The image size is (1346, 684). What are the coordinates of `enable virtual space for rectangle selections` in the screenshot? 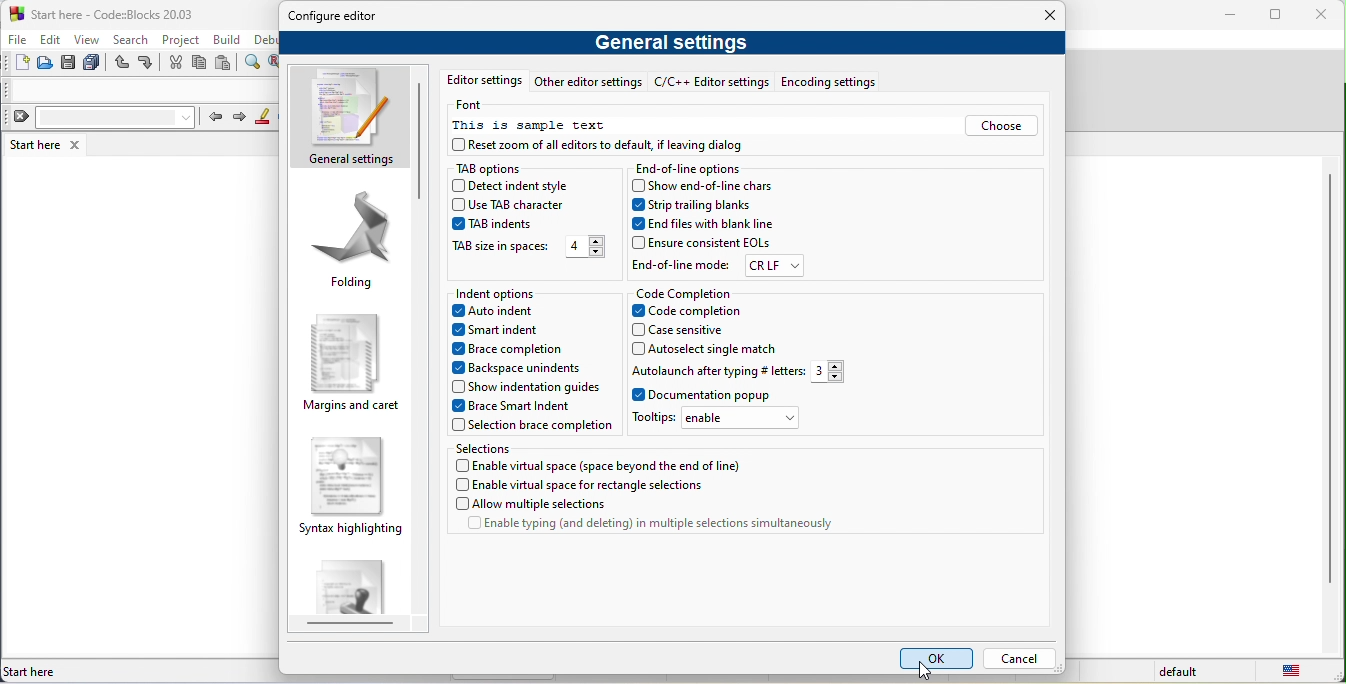 It's located at (586, 484).